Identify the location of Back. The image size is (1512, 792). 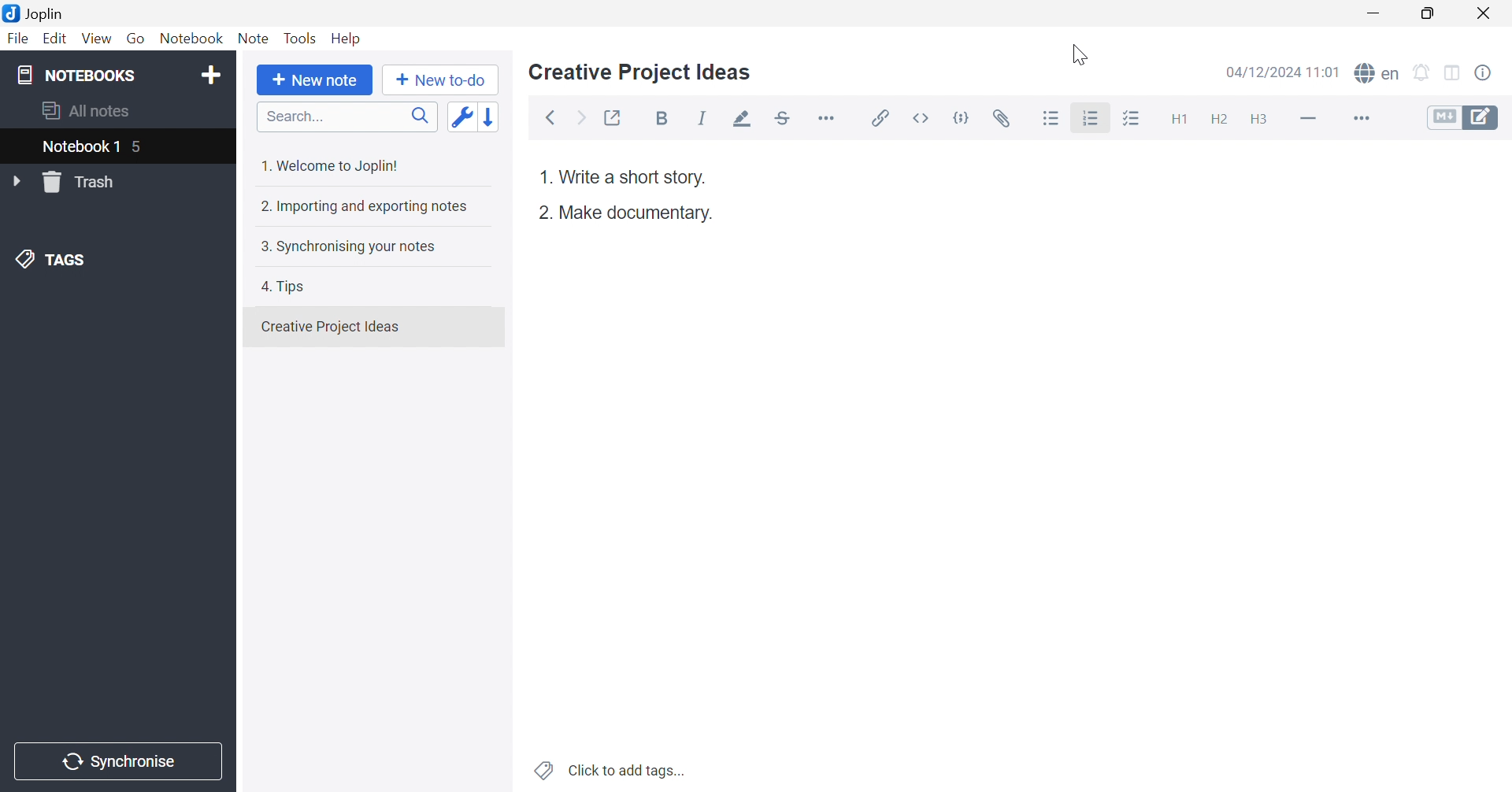
(554, 117).